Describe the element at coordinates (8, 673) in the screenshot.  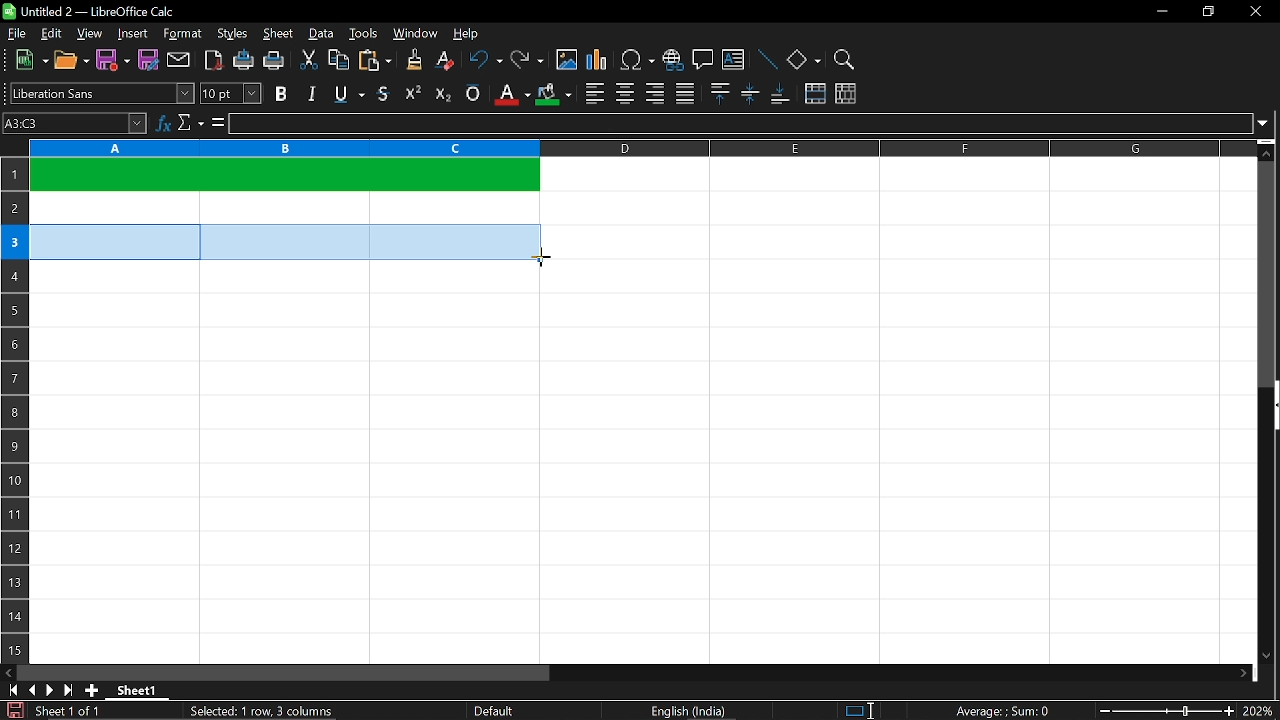
I see `move left` at that location.